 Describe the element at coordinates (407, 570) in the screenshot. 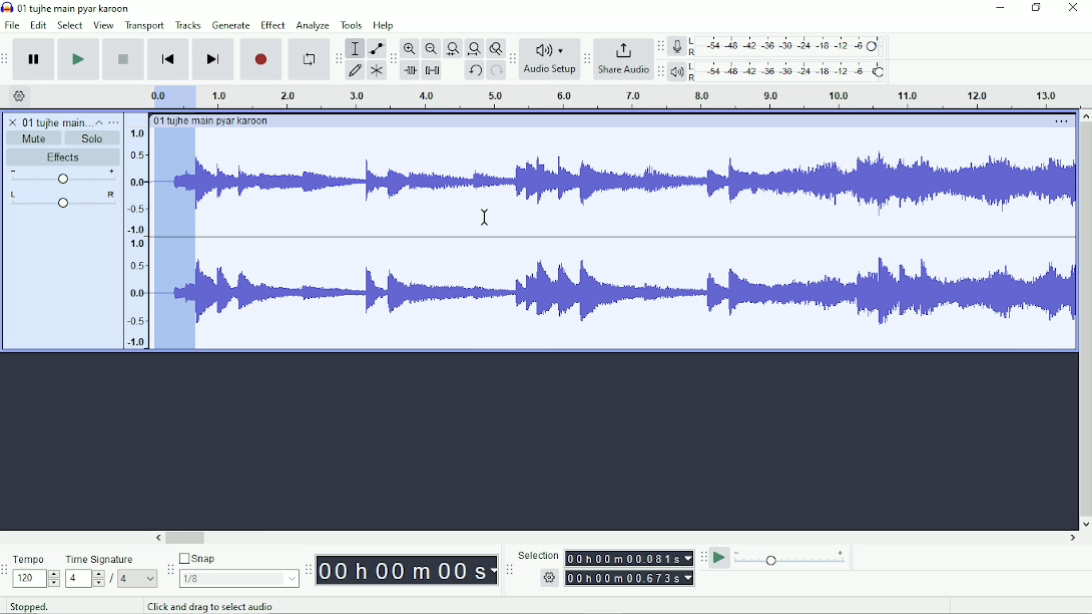

I see `00 h 00 m 00s` at that location.